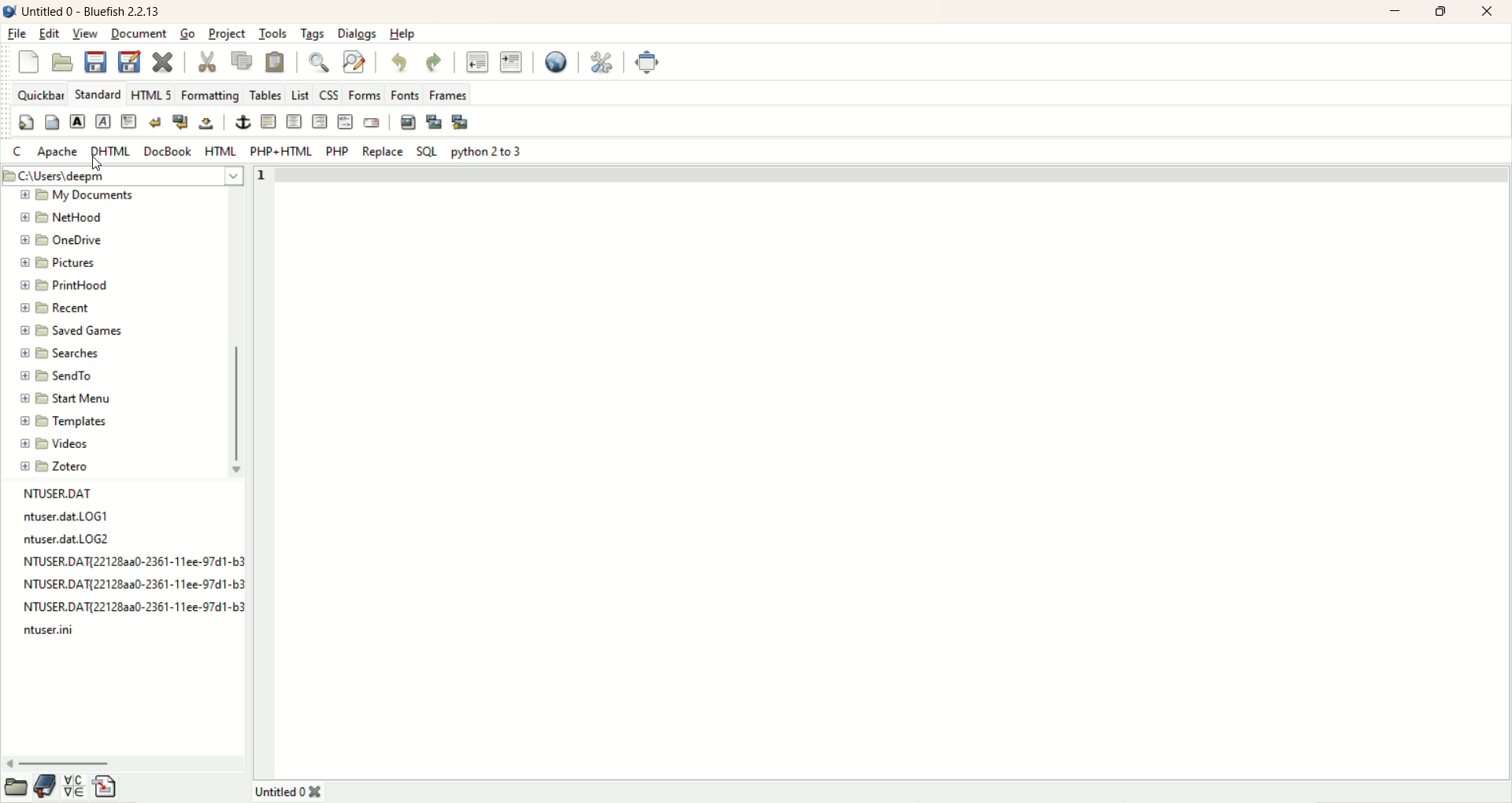 The image size is (1512, 803). Describe the element at coordinates (402, 35) in the screenshot. I see `help` at that location.